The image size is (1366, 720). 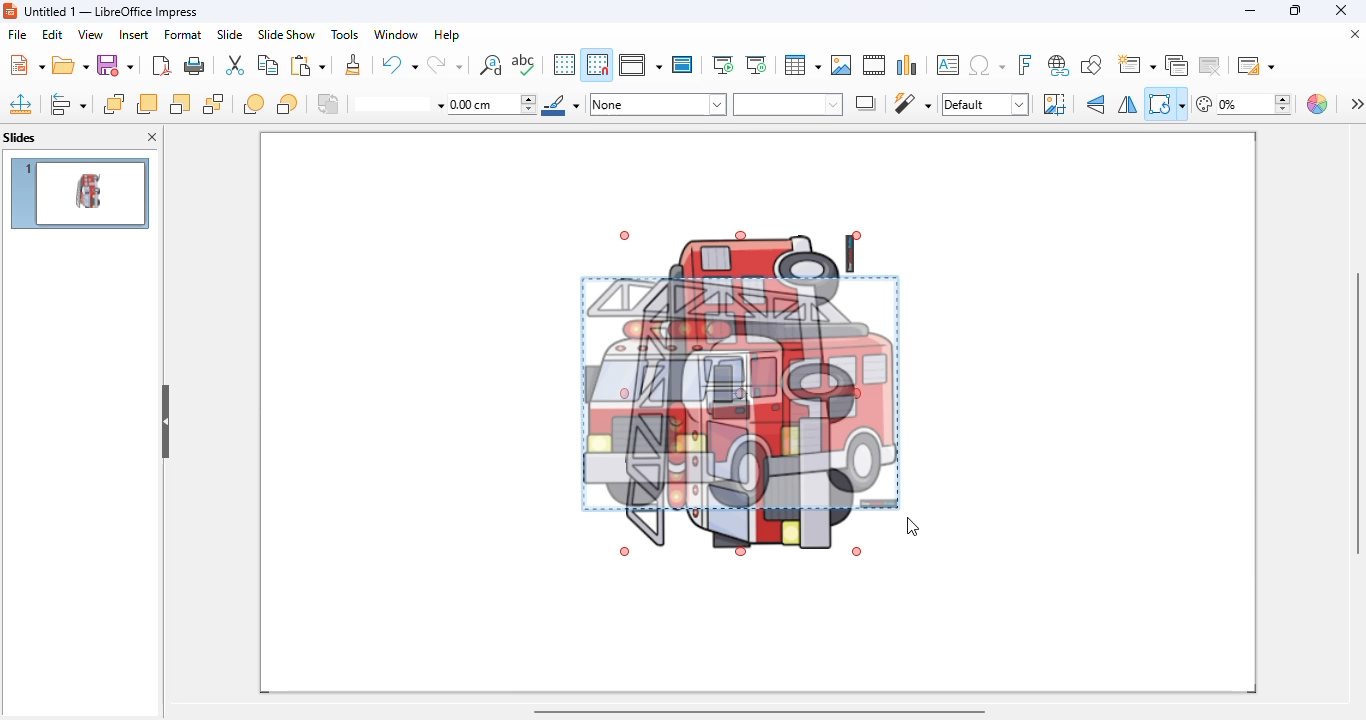 What do you see at coordinates (116, 65) in the screenshot?
I see `save` at bounding box center [116, 65].